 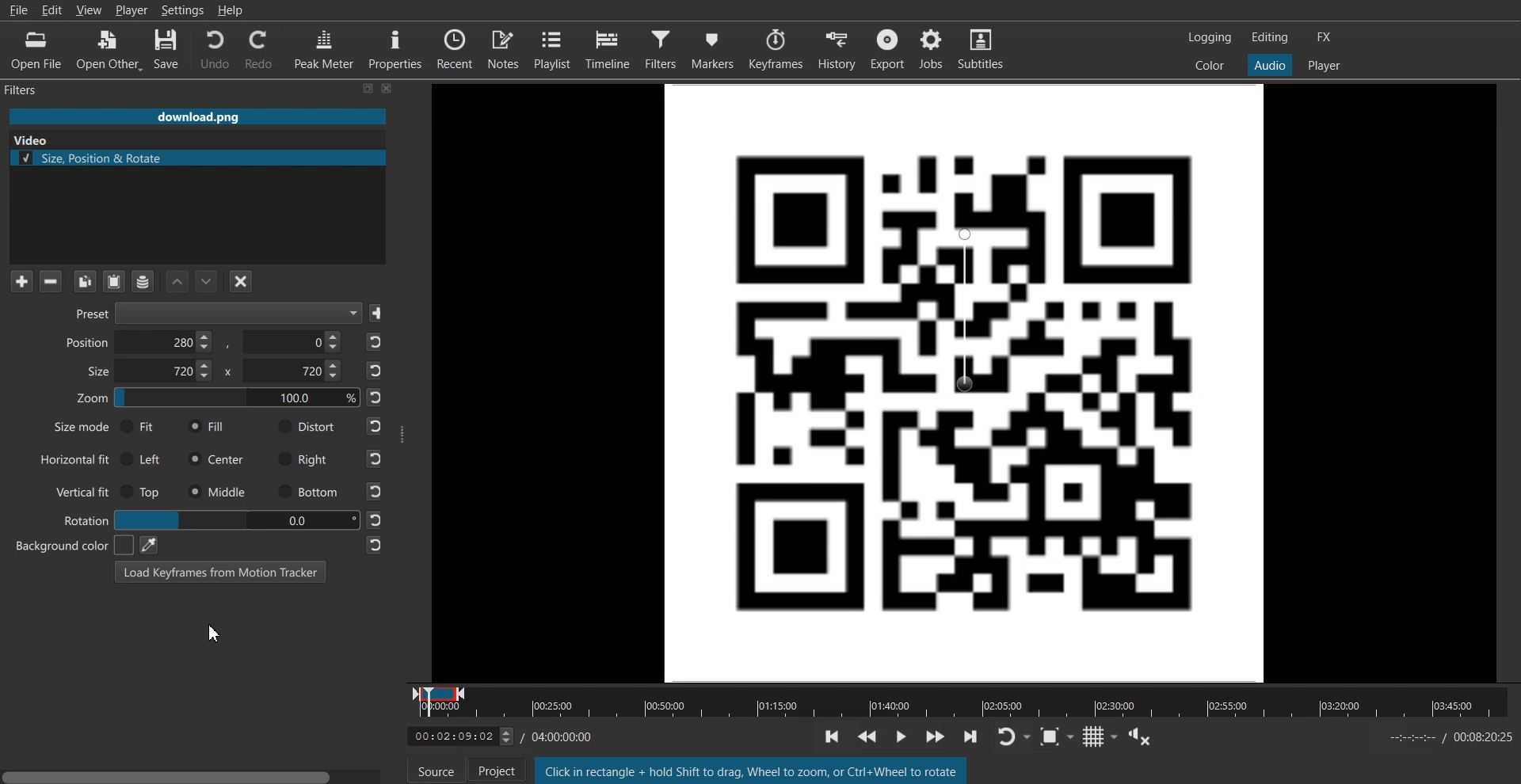 What do you see at coordinates (388, 89) in the screenshot?
I see `Close` at bounding box center [388, 89].